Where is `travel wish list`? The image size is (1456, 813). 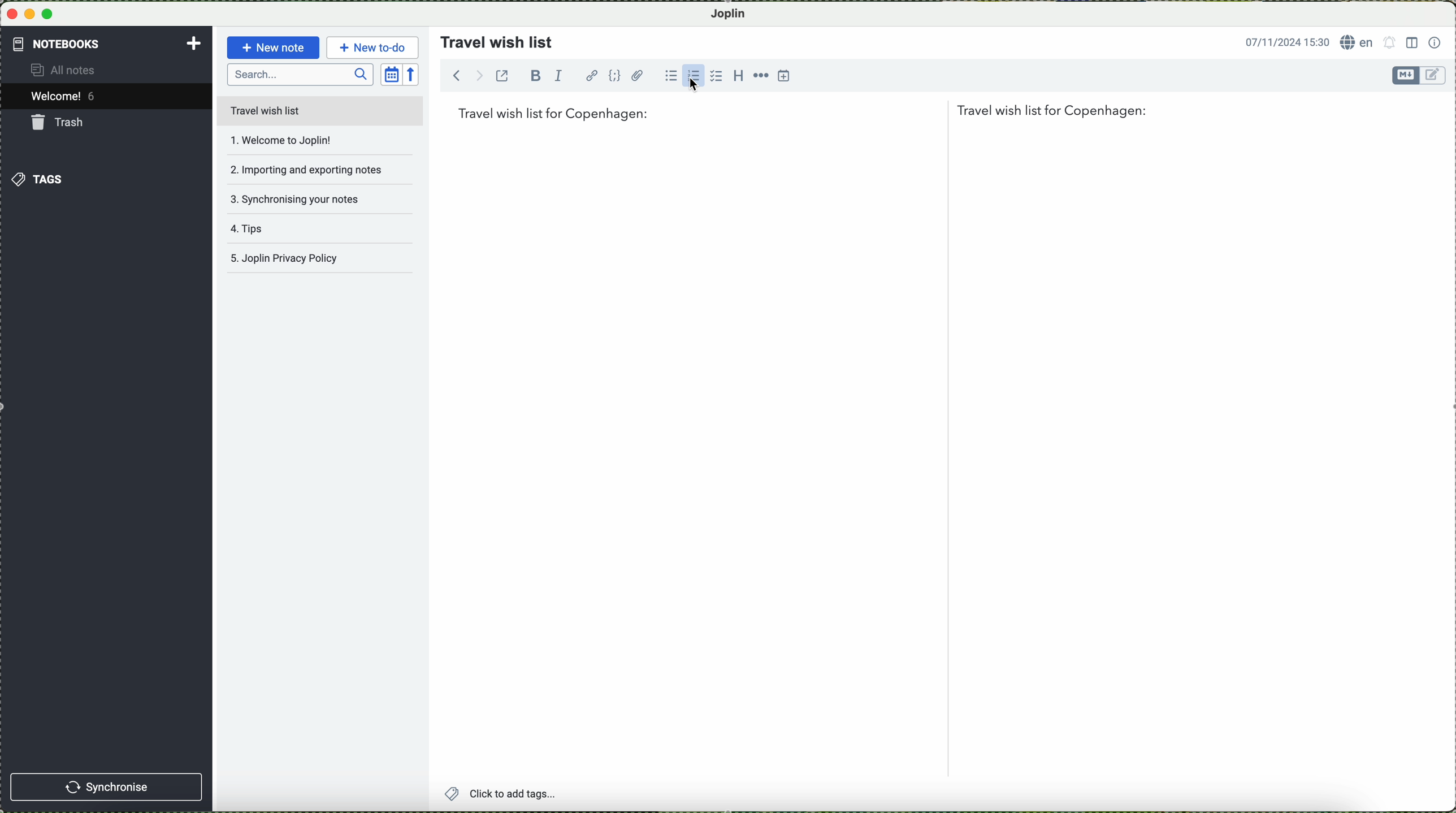 travel wish list is located at coordinates (492, 38).